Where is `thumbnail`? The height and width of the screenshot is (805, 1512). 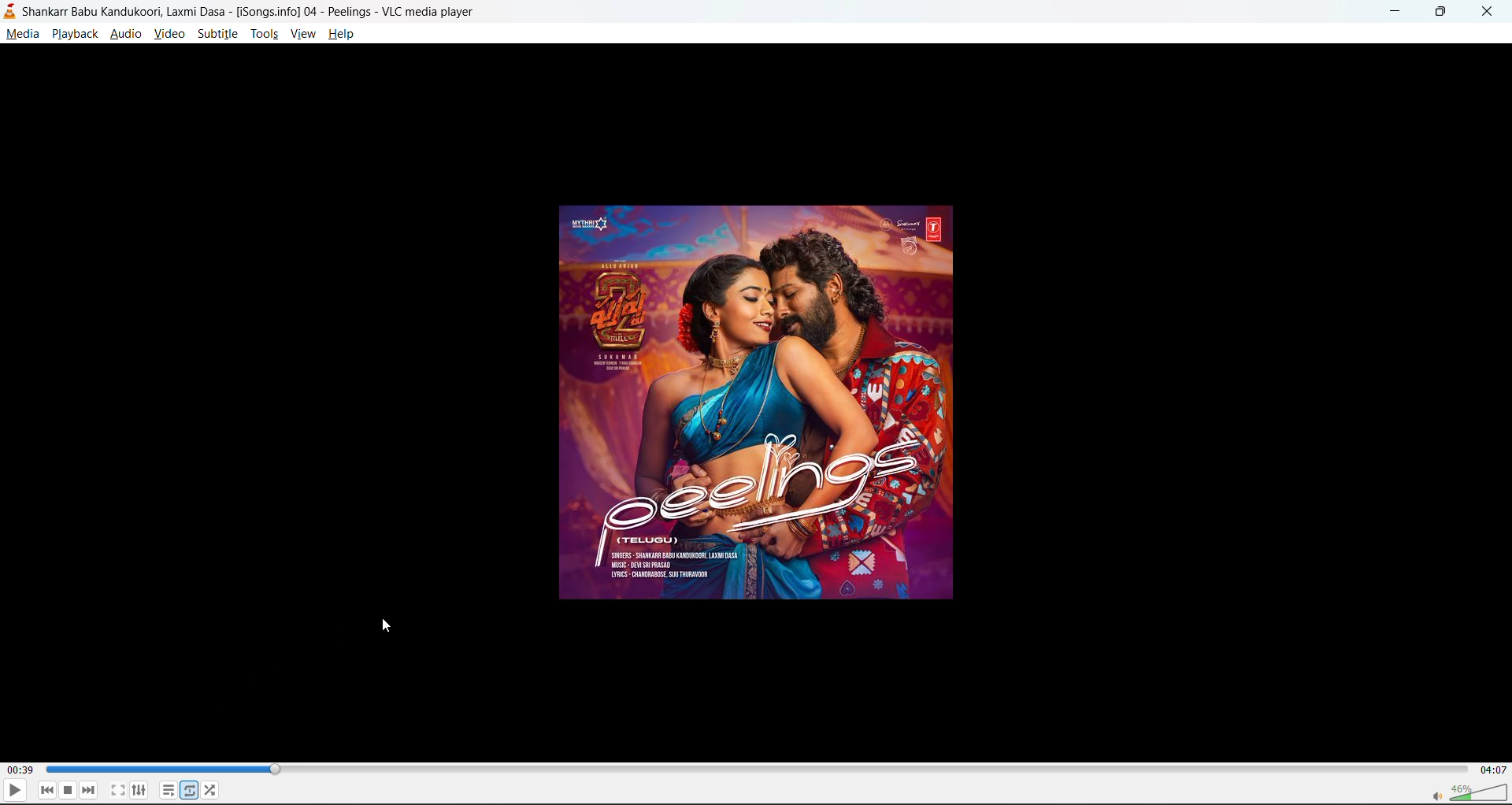
thumbnail is located at coordinates (759, 404).